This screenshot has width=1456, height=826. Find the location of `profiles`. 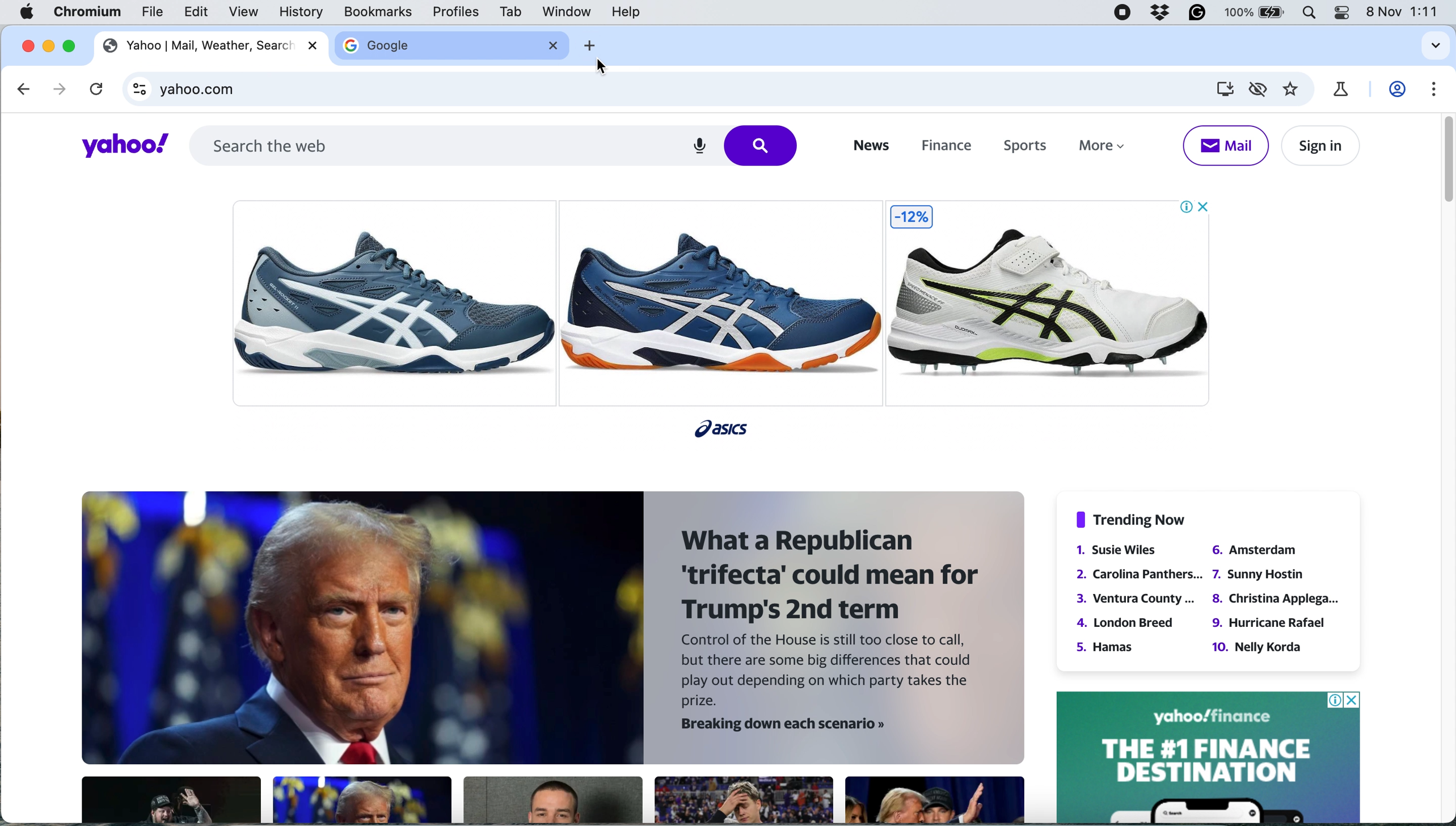

profiles is located at coordinates (457, 12).